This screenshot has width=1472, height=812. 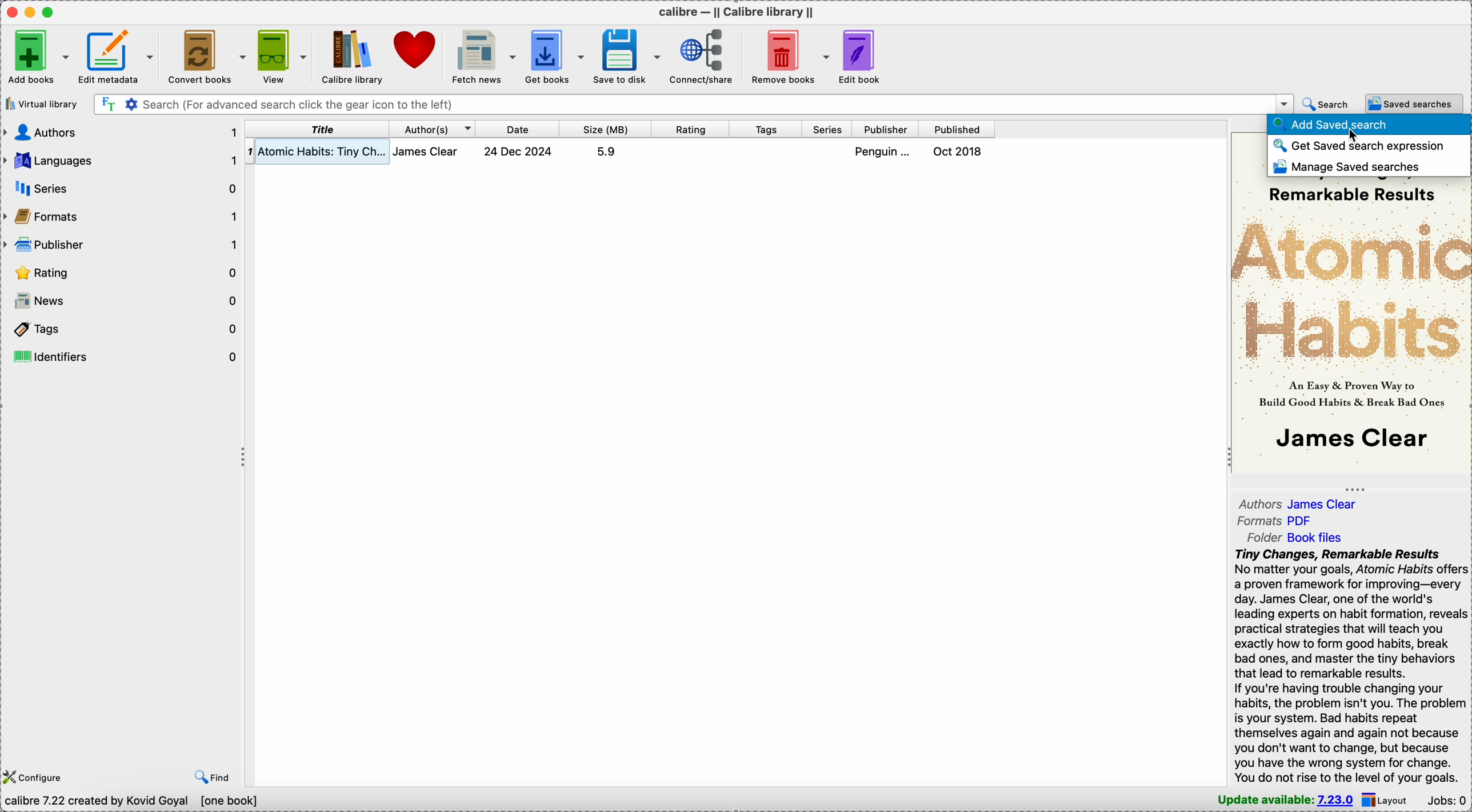 I want to click on search, so click(x=1325, y=103).